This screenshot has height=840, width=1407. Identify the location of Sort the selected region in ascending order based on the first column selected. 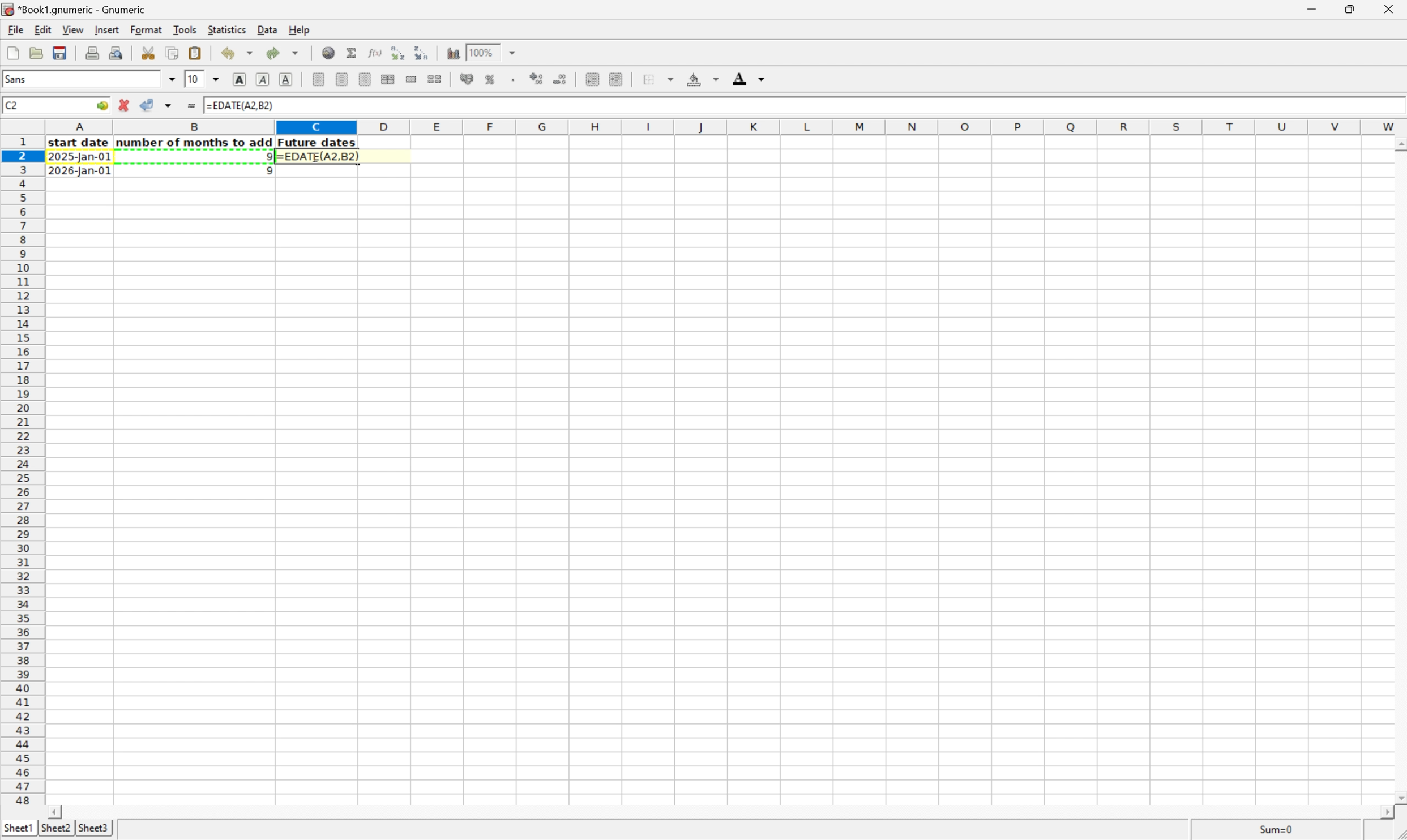
(397, 52).